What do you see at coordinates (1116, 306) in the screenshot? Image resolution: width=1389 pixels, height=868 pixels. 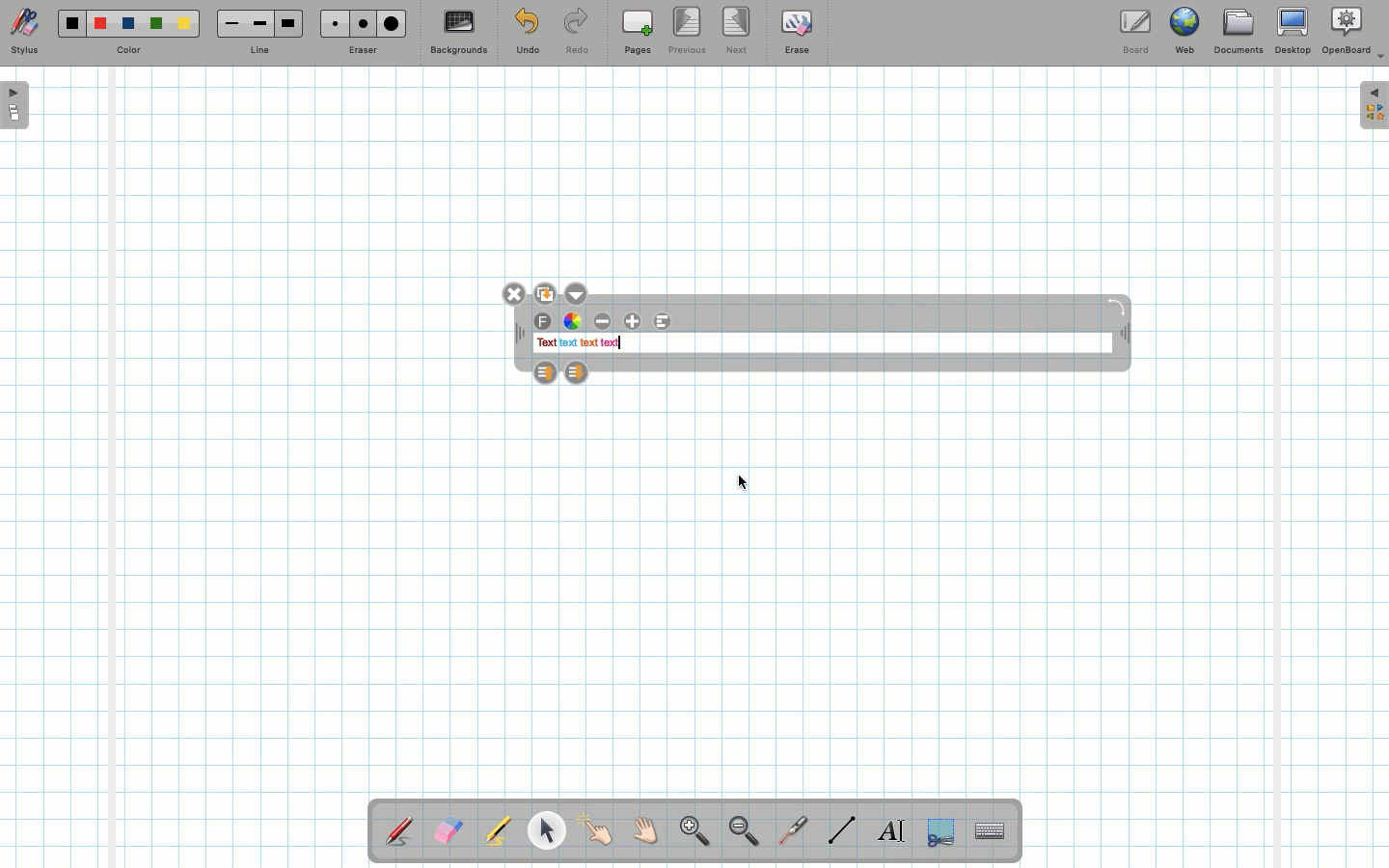 I see `Rotate` at bounding box center [1116, 306].